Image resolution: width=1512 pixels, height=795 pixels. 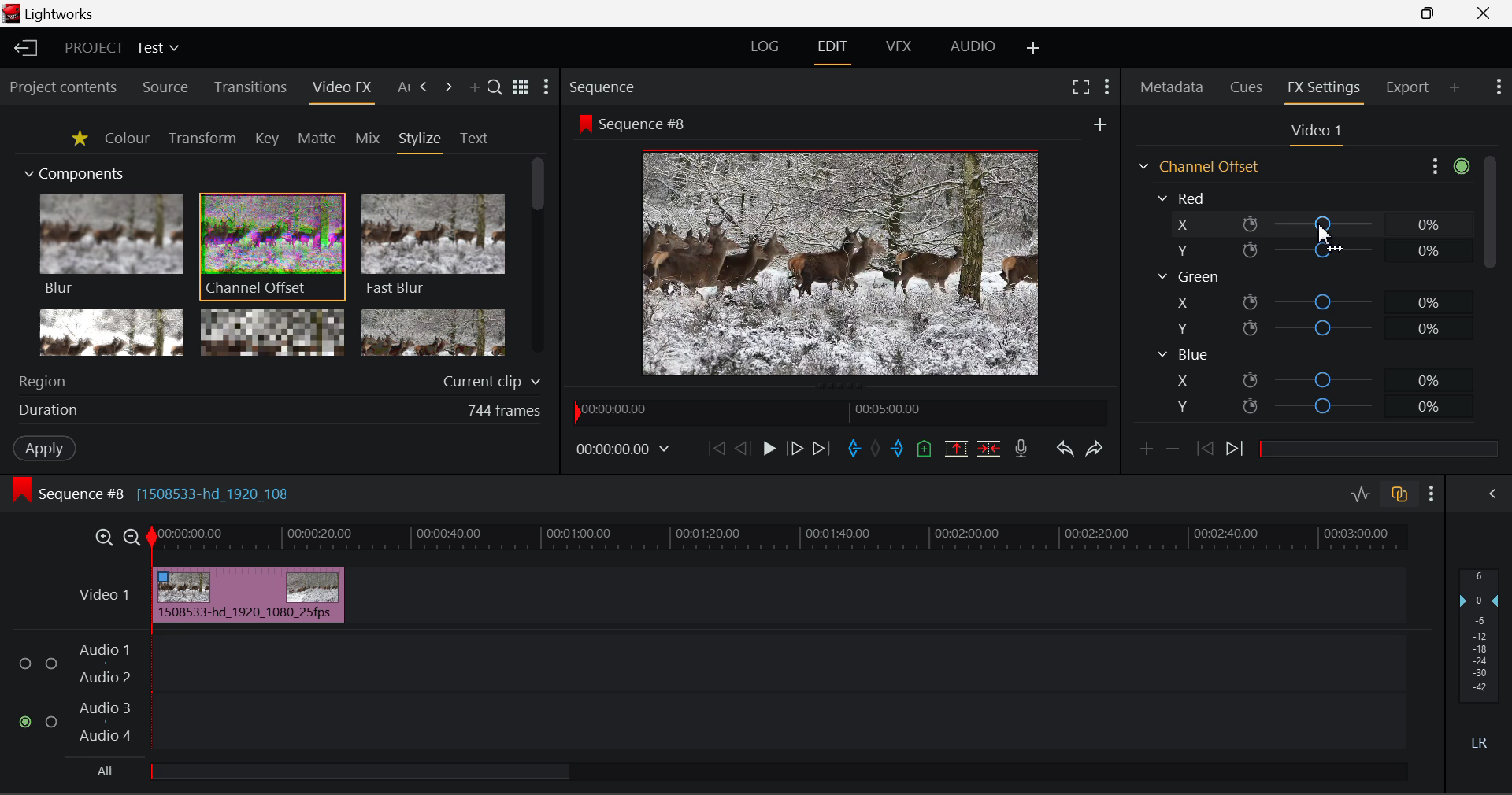 What do you see at coordinates (272, 248) in the screenshot?
I see `Channel Offset` at bounding box center [272, 248].